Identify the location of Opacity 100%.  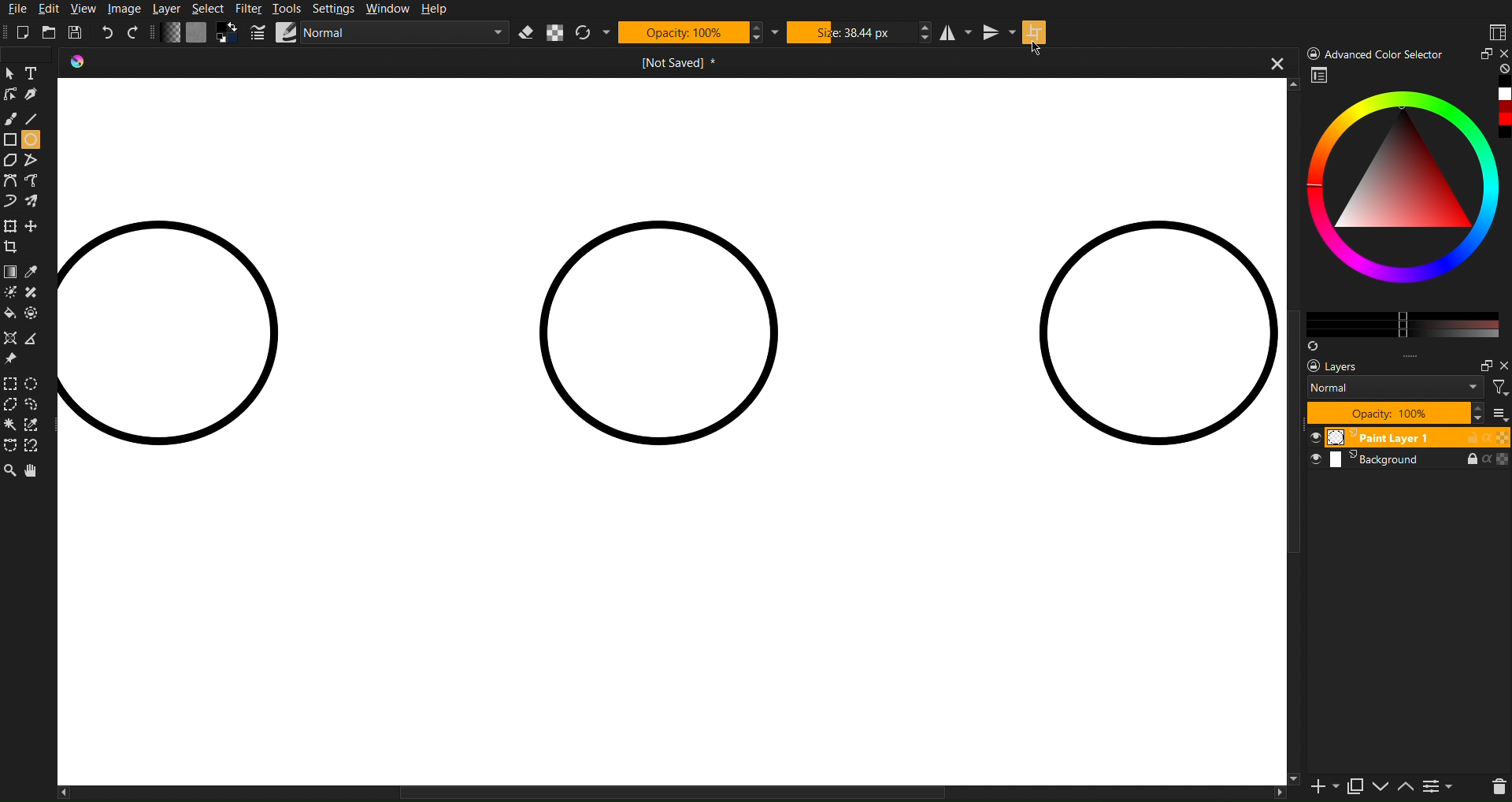
(1396, 412).